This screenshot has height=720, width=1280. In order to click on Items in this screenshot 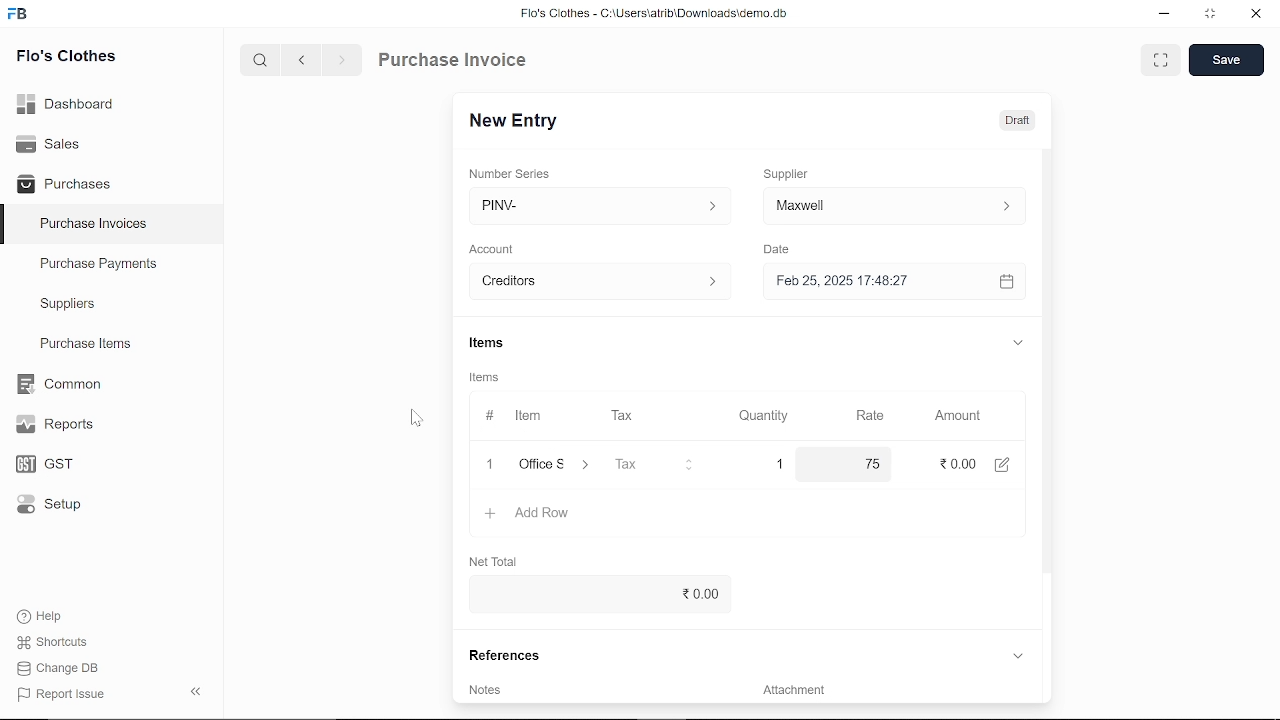, I will do `click(490, 379)`.